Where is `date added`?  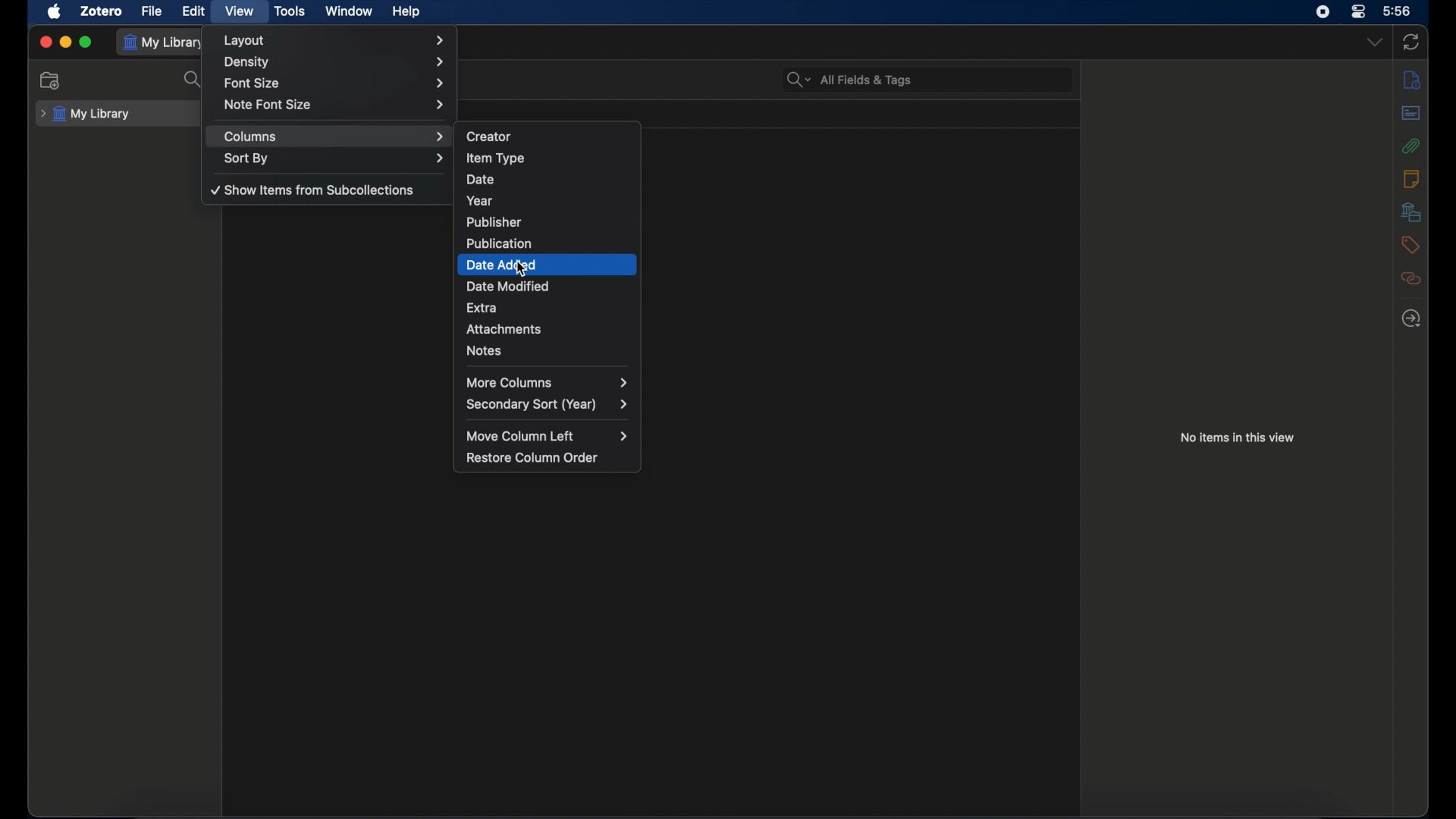
date added is located at coordinates (549, 265).